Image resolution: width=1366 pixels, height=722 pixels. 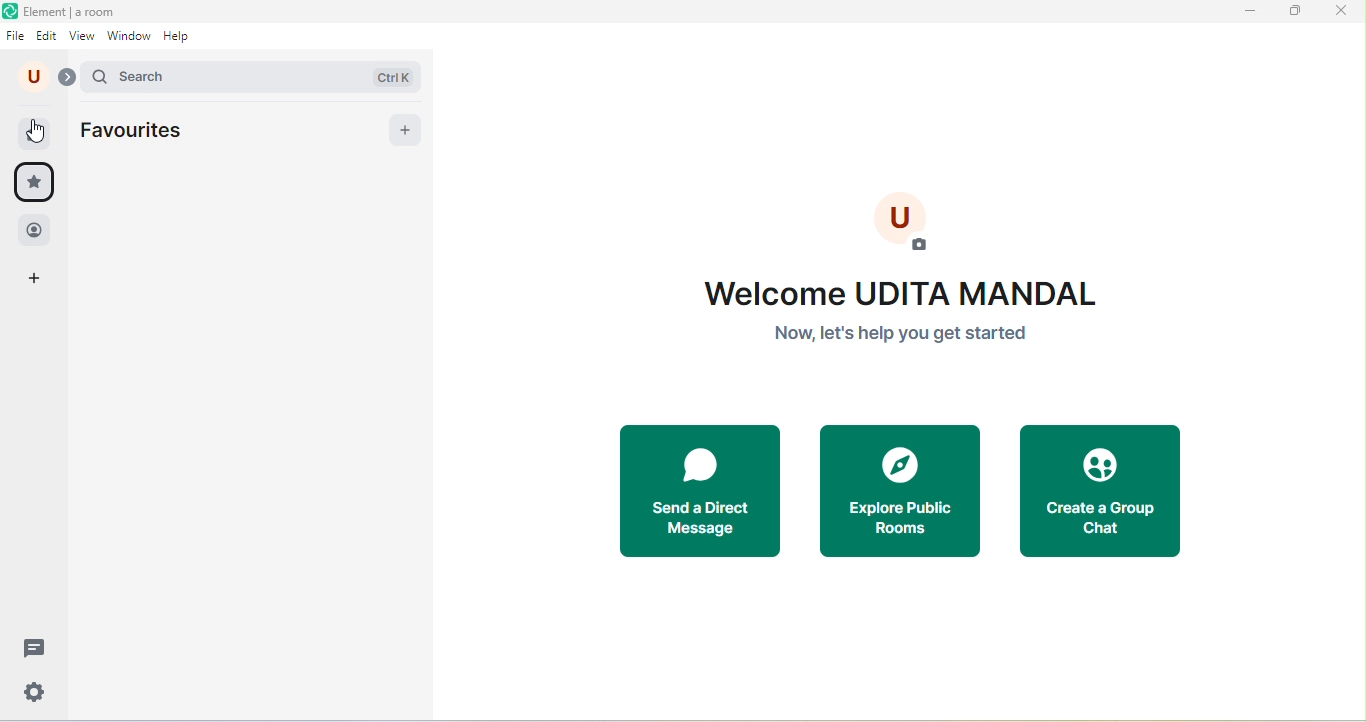 I want to click on window, so click(x=130, y=38).